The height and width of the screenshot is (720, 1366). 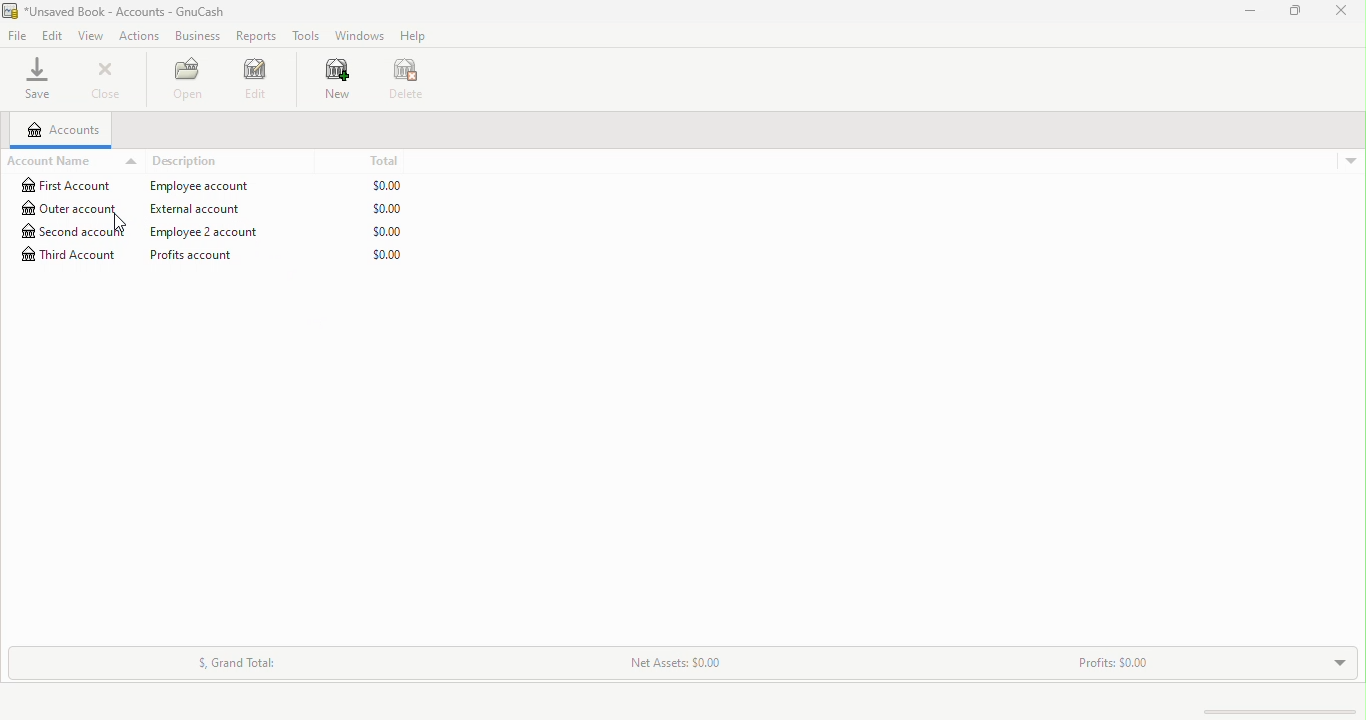 I want to click on Delete, so click(x=414, y=84).